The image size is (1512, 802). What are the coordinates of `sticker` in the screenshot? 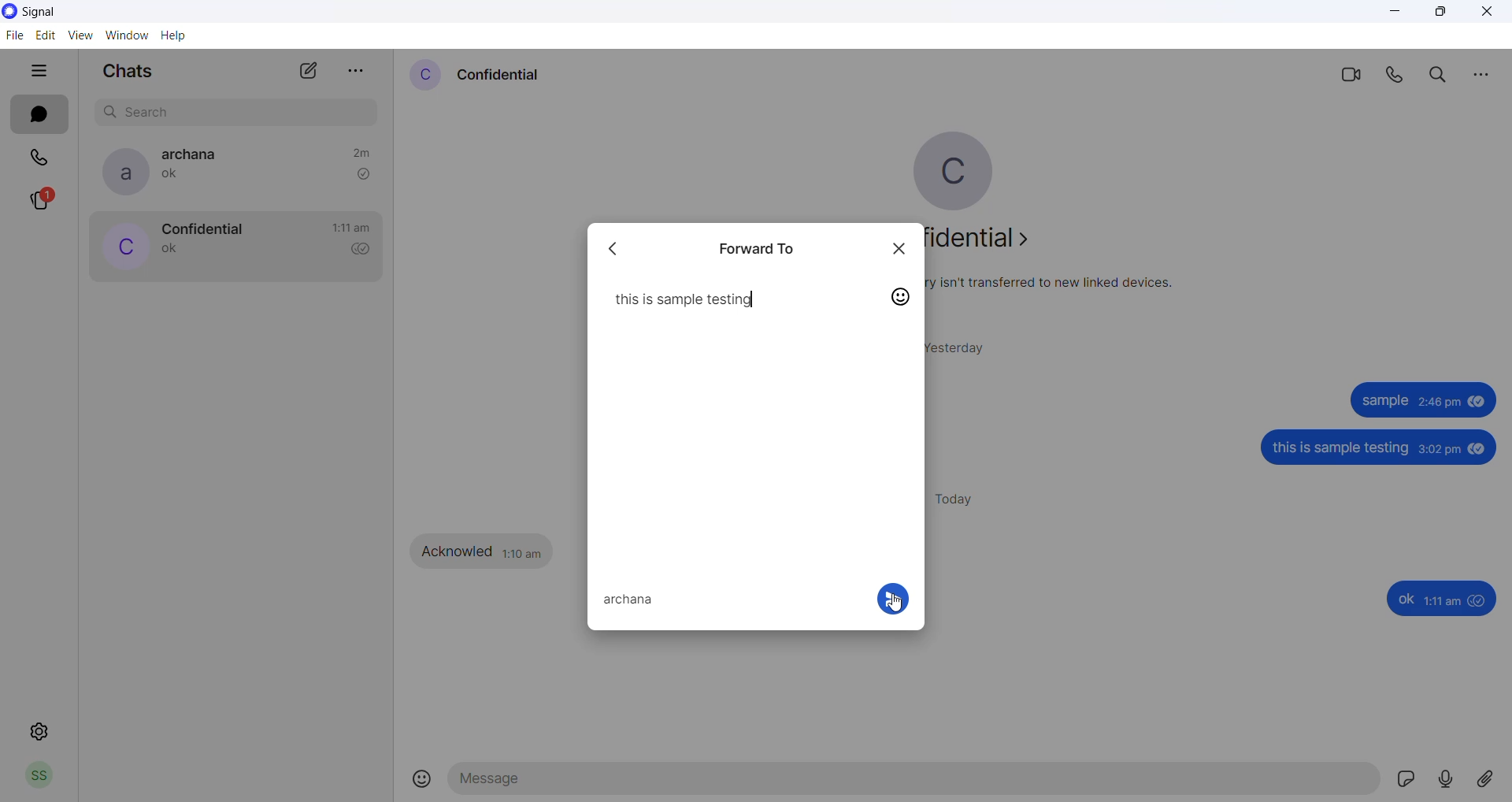 It's located at (1410, 782).